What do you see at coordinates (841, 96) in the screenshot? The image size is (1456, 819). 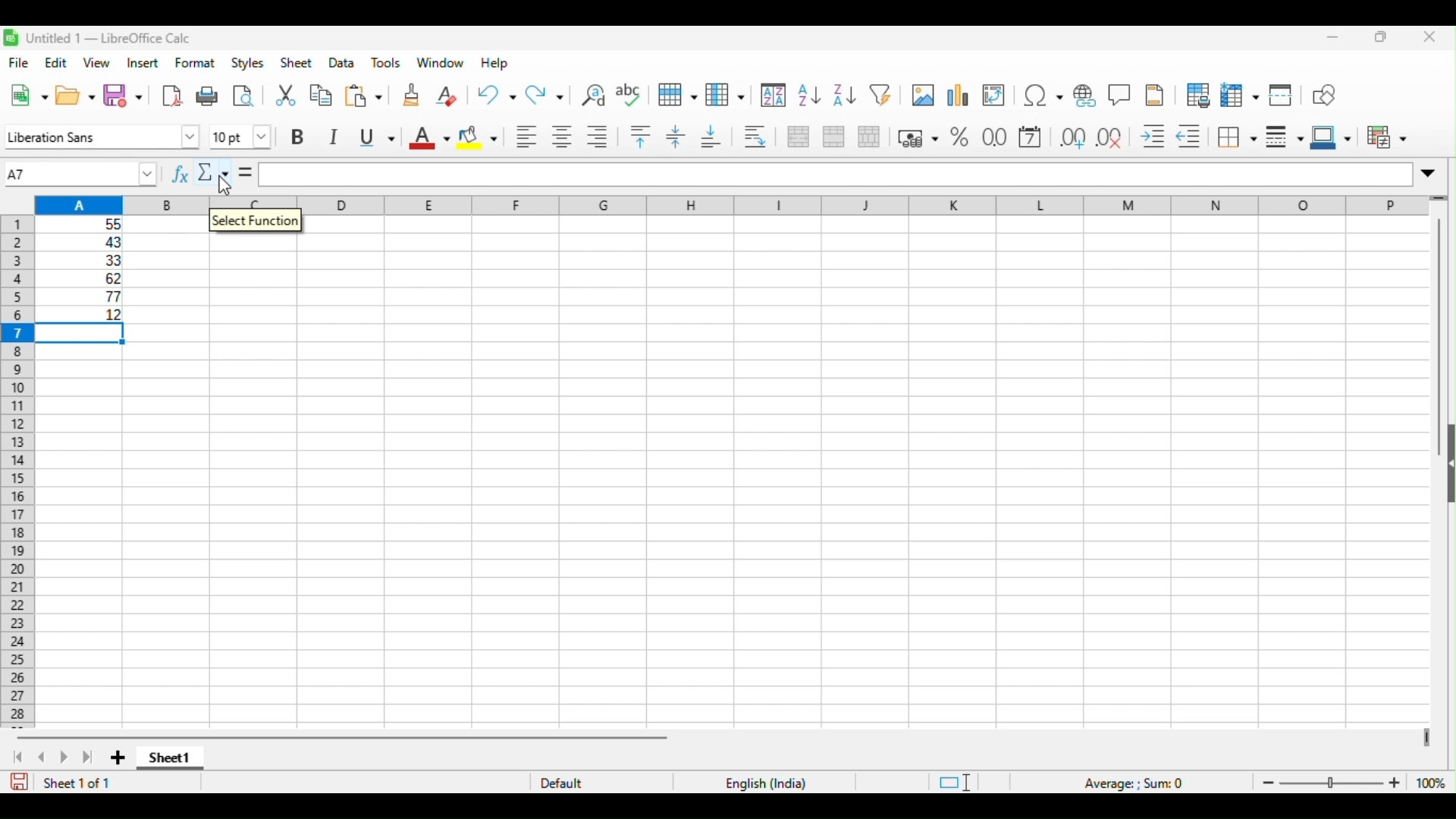 I see `sort descending` at bounding box center [841, 96].